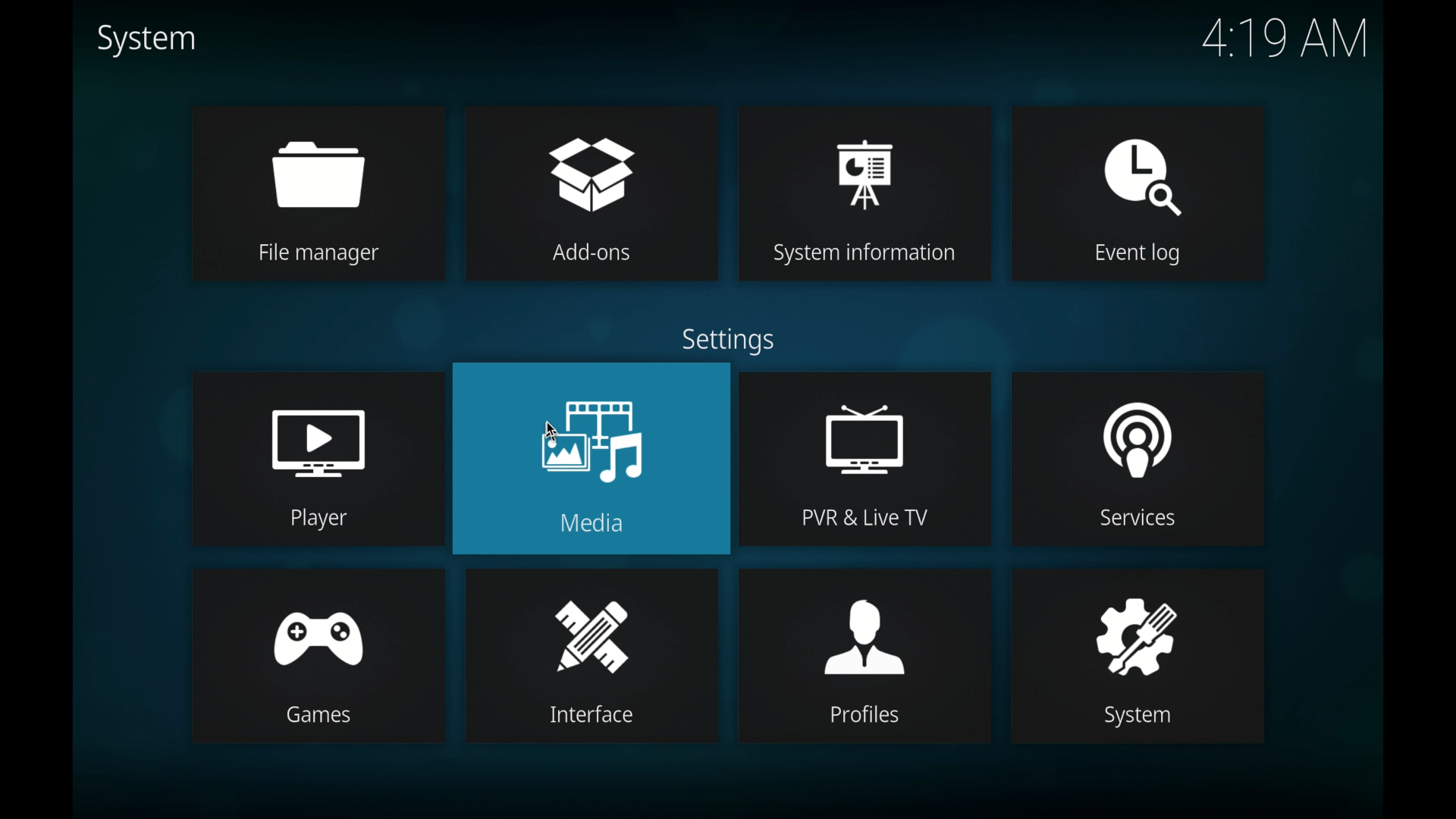  I want to click on interface, so click(590, 657).